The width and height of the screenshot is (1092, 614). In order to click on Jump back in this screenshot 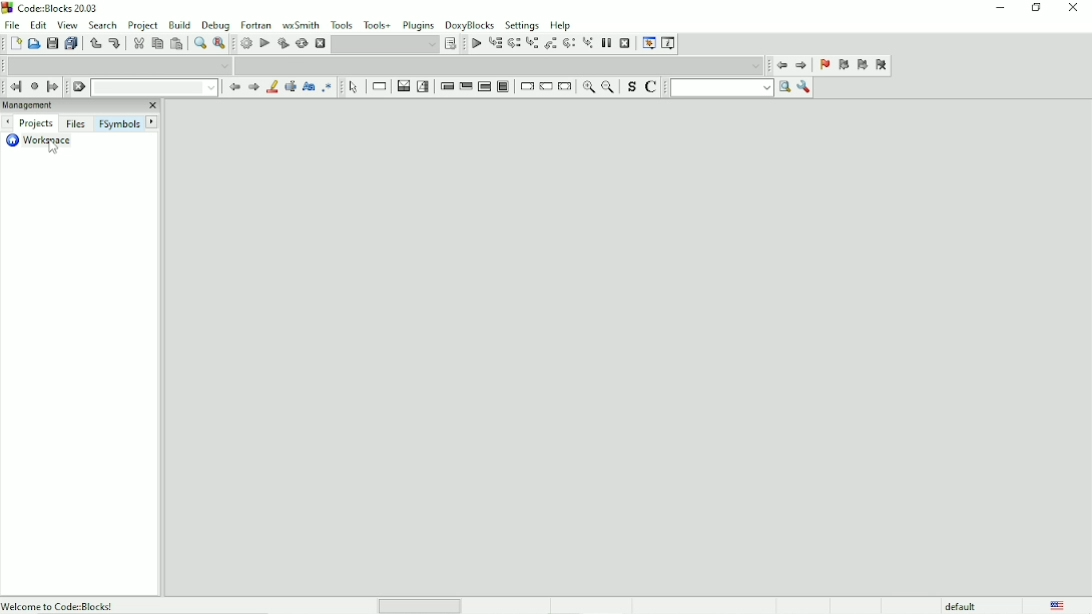, I will do `click(780, 65)`.